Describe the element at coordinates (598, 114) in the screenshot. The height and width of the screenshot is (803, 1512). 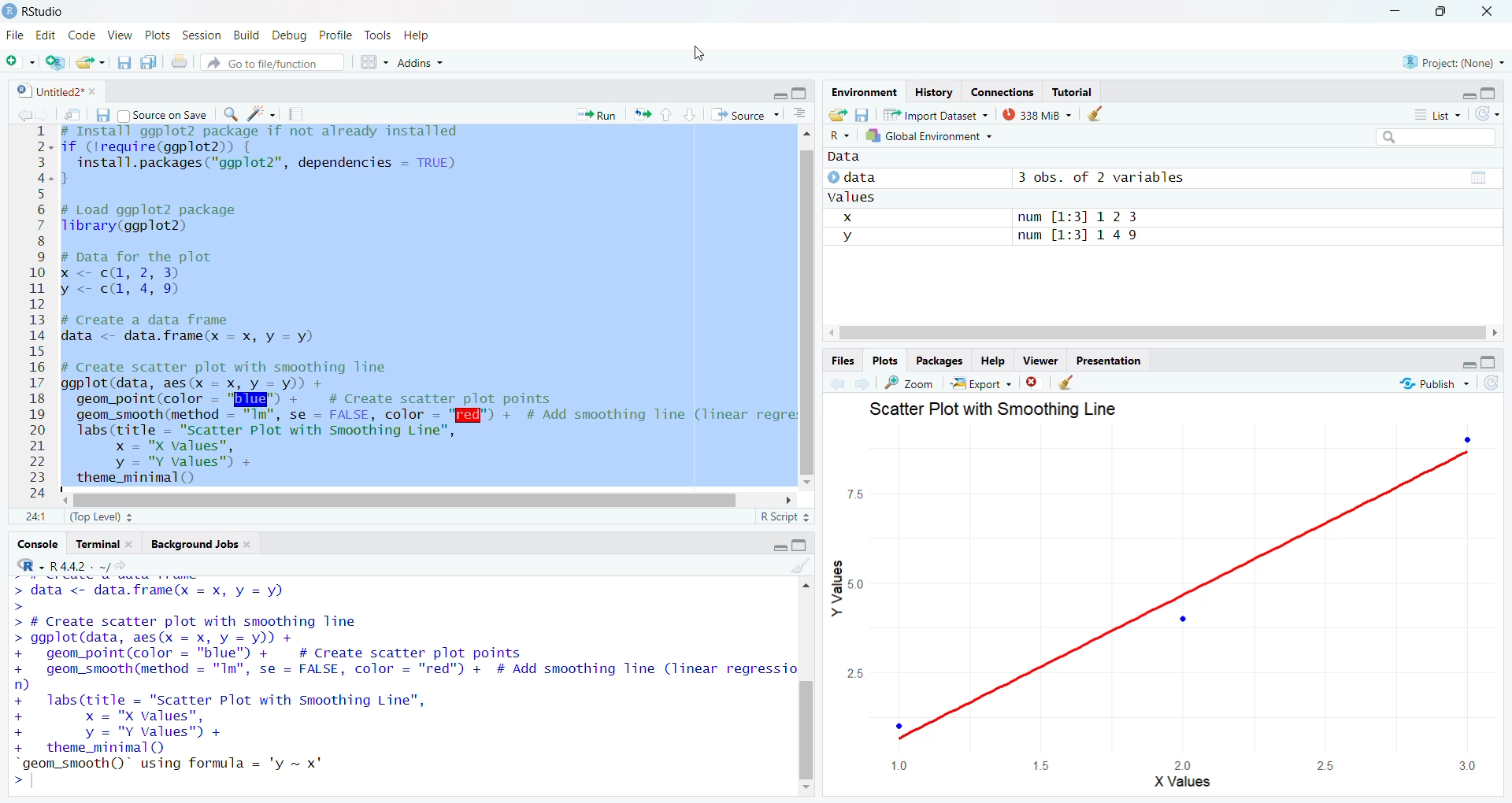
I see ` Run` at that location.